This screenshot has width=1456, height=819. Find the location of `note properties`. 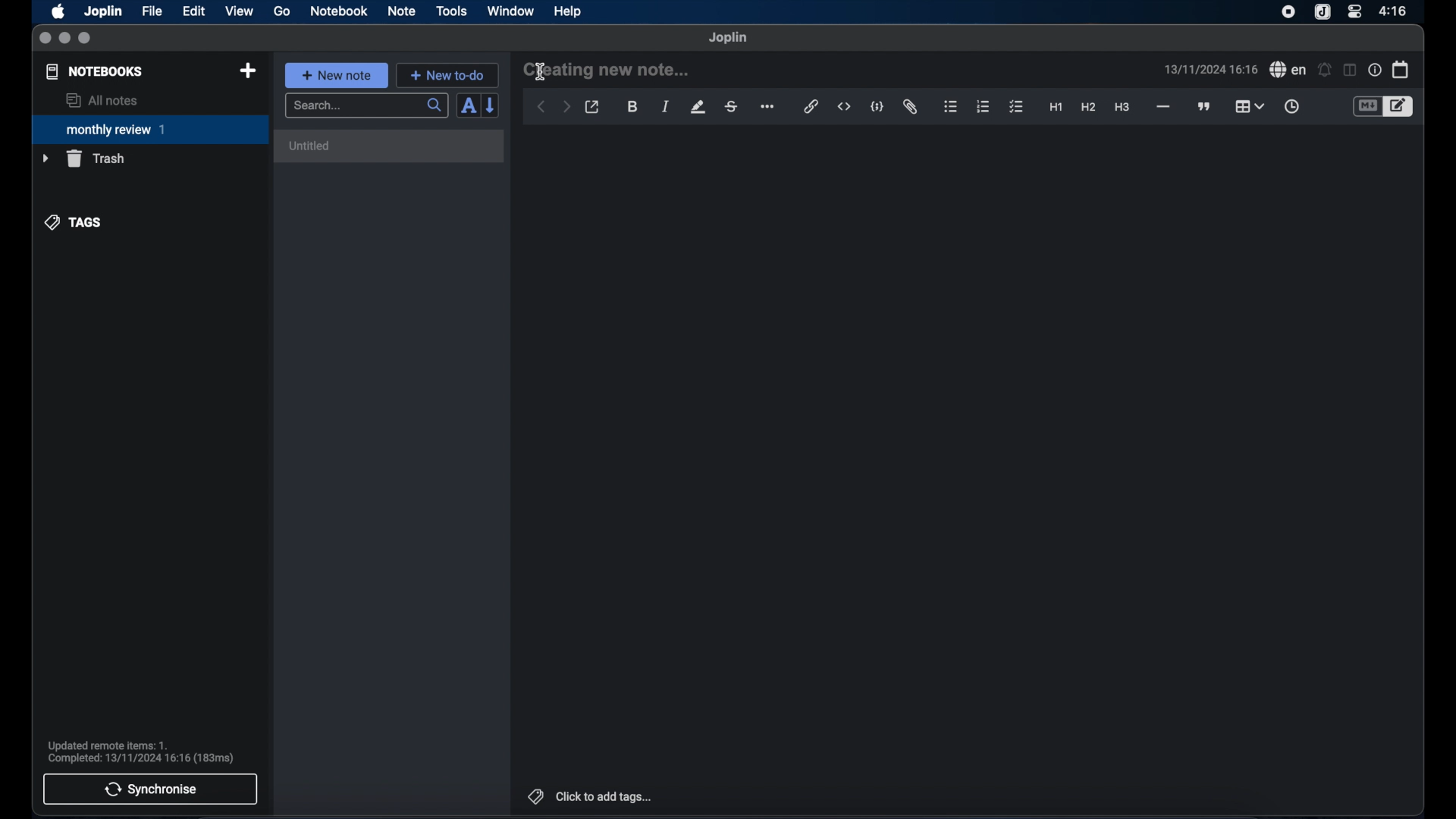

note properties is located at coordinates (1375, 71).